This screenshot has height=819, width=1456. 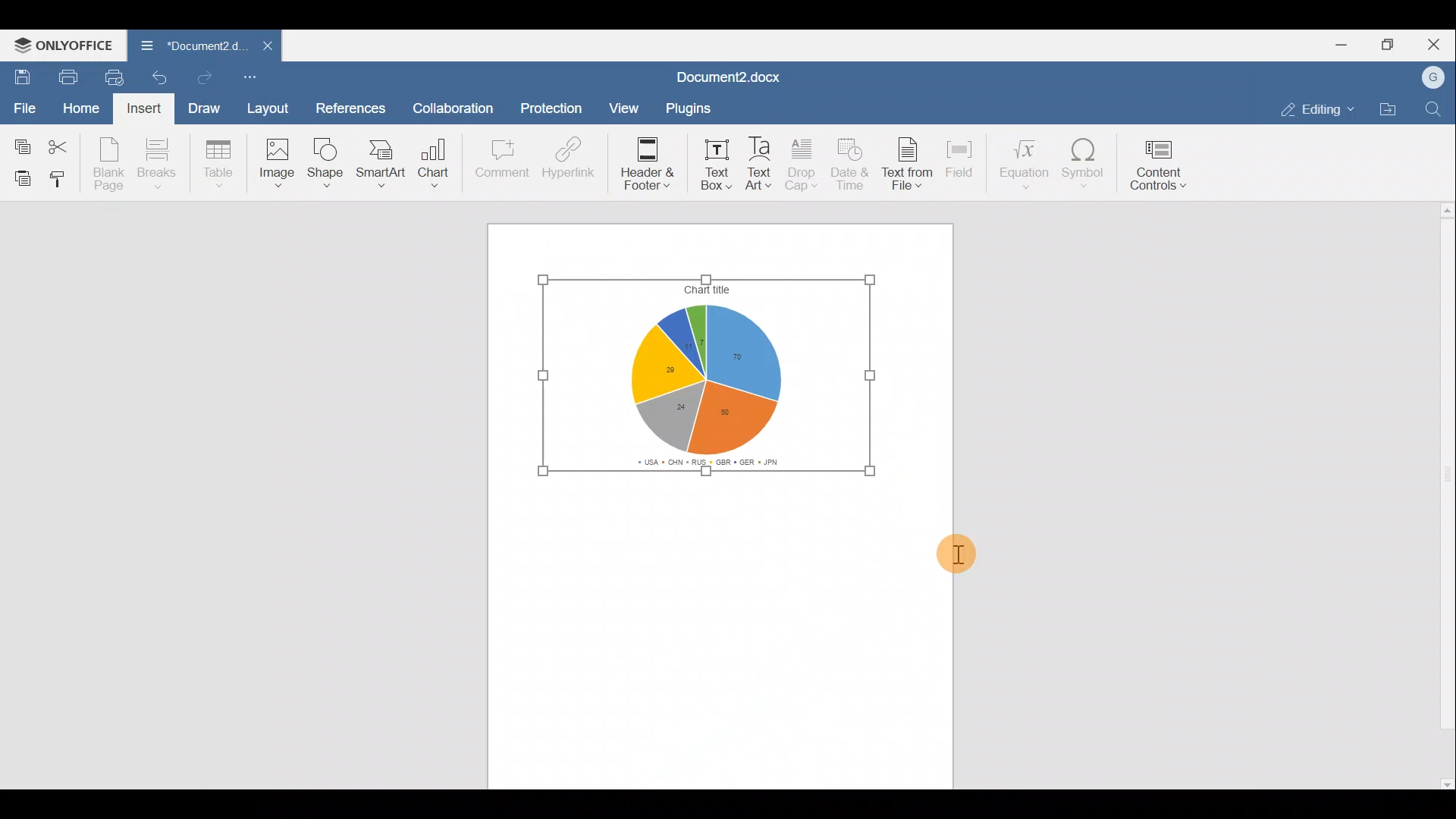 What do you see at coordinates (714, 375) in the screenshot?
I see `Chart image` at bounding box center [714, 375].